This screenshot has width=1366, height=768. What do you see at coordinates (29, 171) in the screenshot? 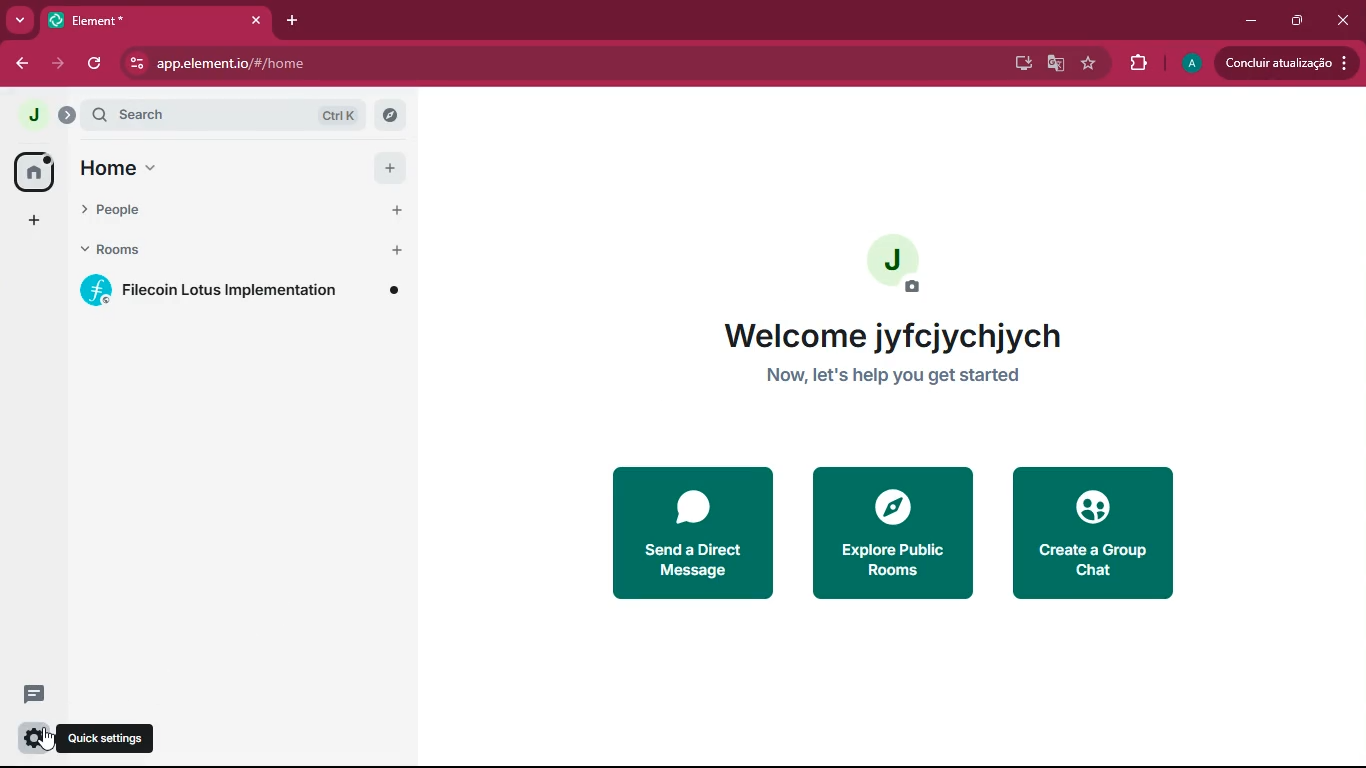
I see `home` at bounding box center [29, 171].